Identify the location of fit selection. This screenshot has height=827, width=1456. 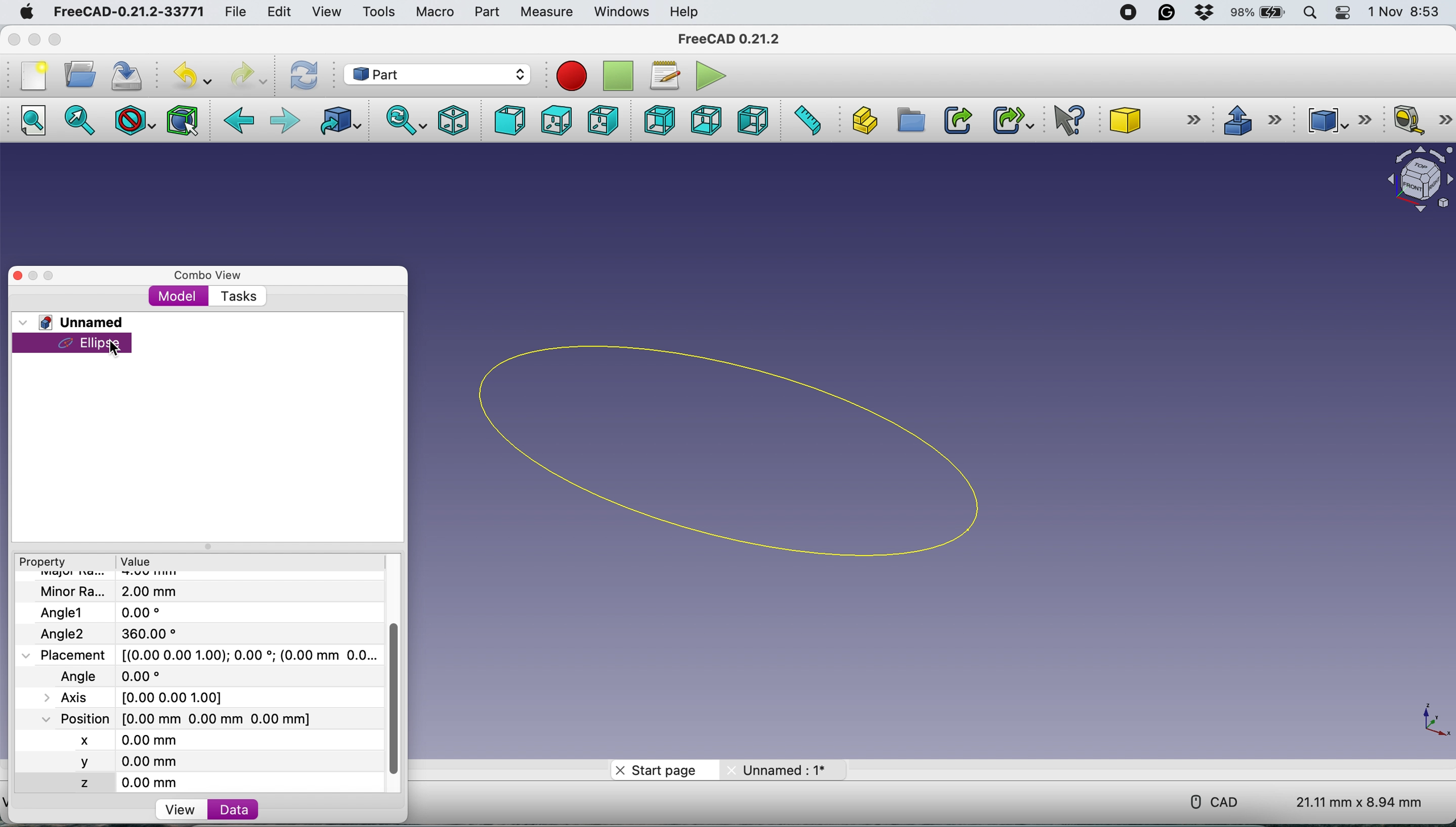
(80, 120).